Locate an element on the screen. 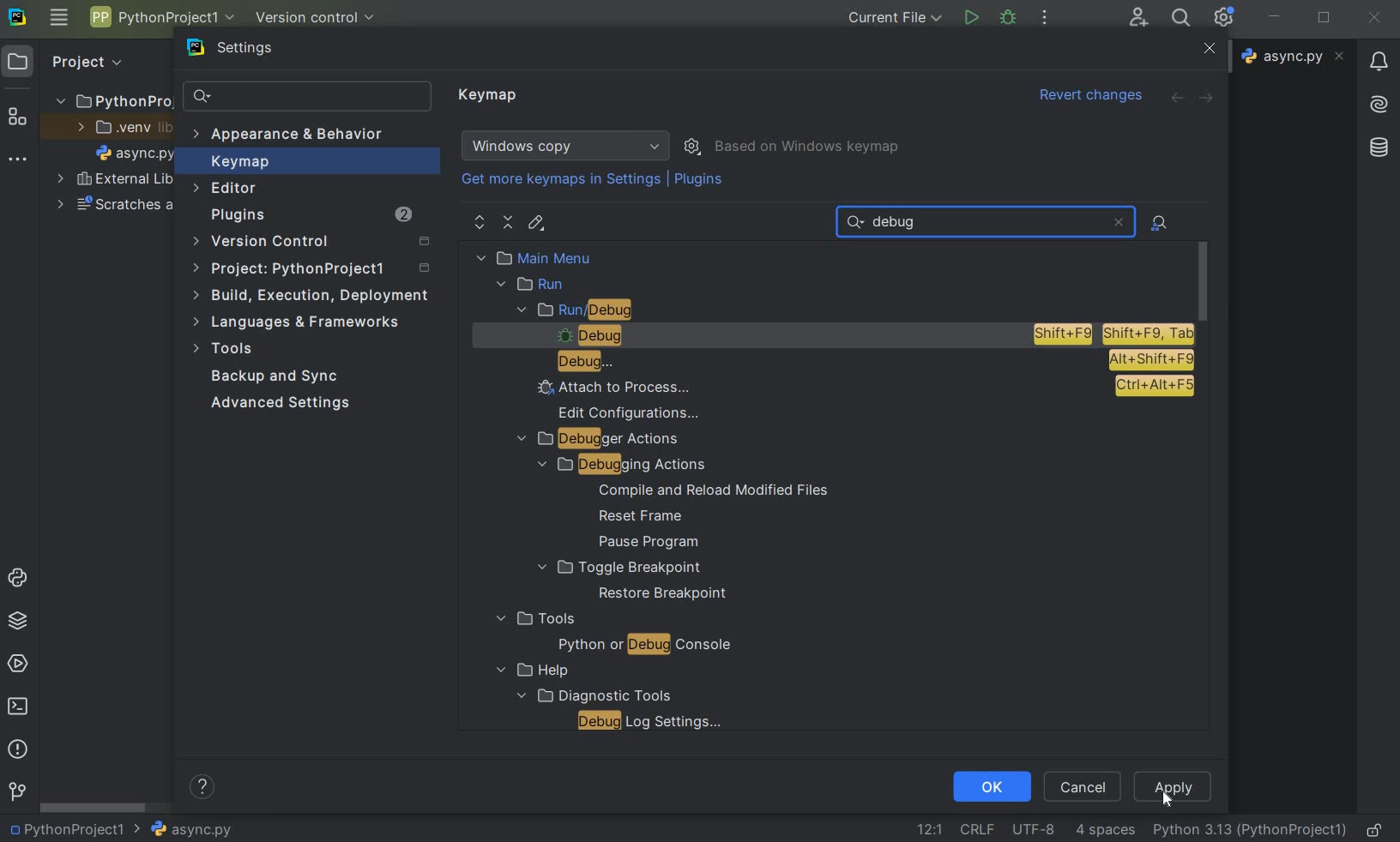 The width and height of the screenshot is (1400, 842). version control is located at coordinates (321, 19).